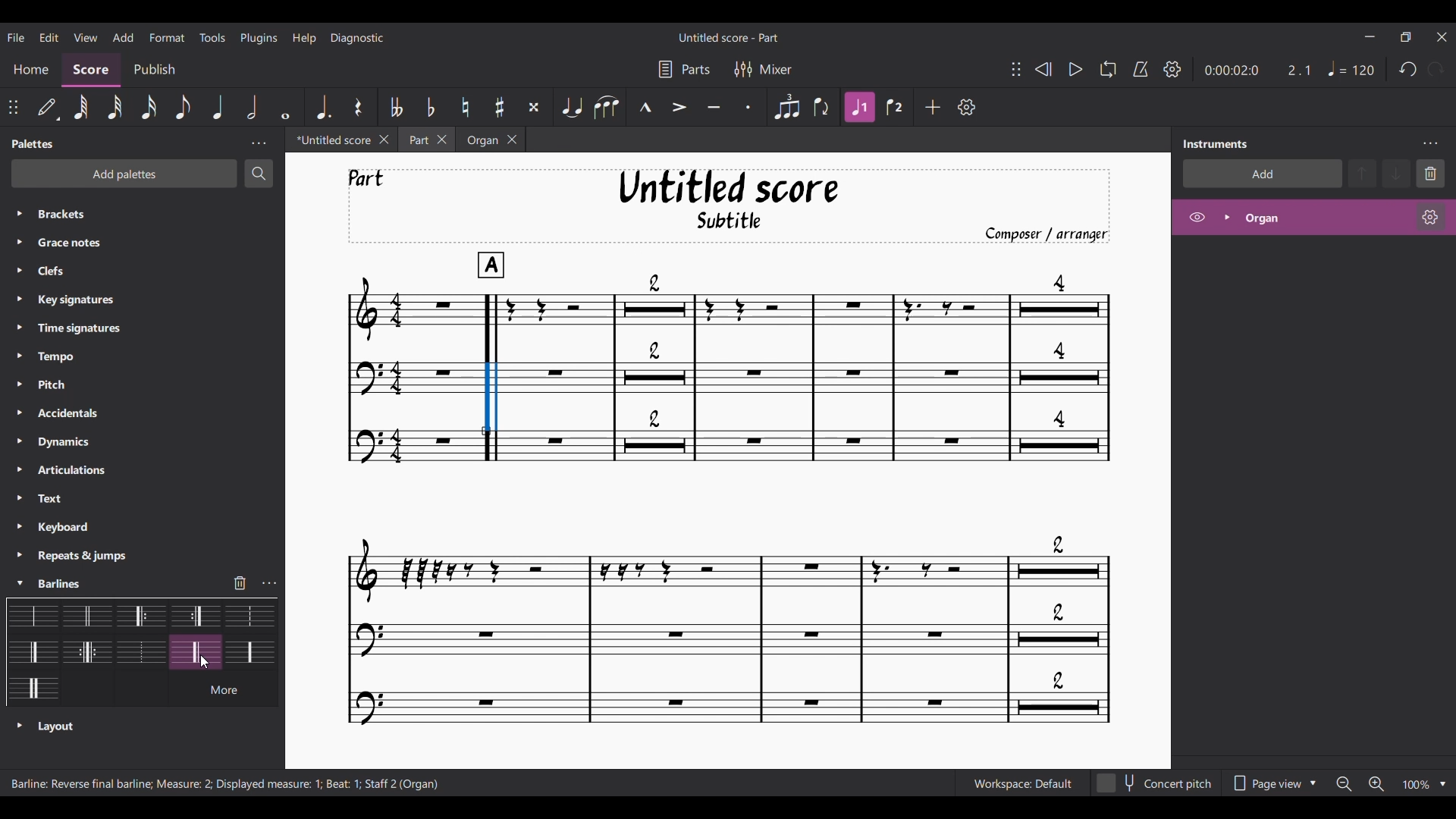 The width and height of the screenshot is (1456, 819). Describe the element at coordinates (30, 69) in the screenshot. I see `Home section` at that location.